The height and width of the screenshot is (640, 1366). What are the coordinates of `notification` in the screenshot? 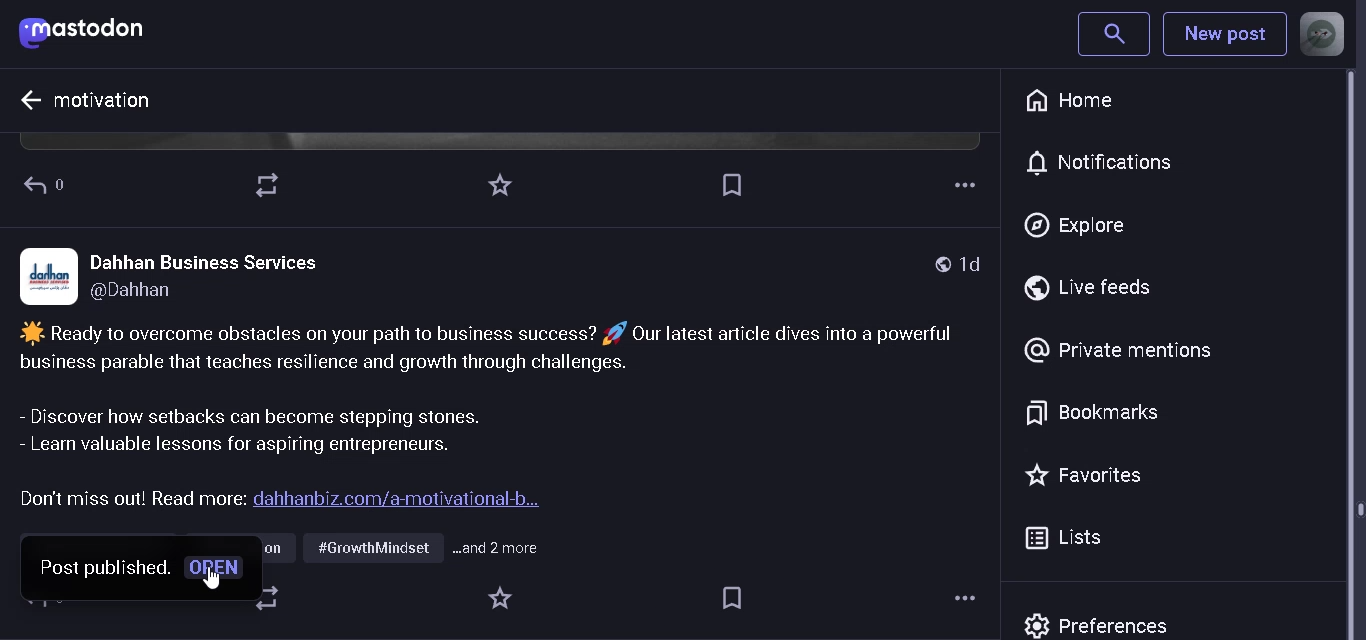 It's located at (1114, 162).